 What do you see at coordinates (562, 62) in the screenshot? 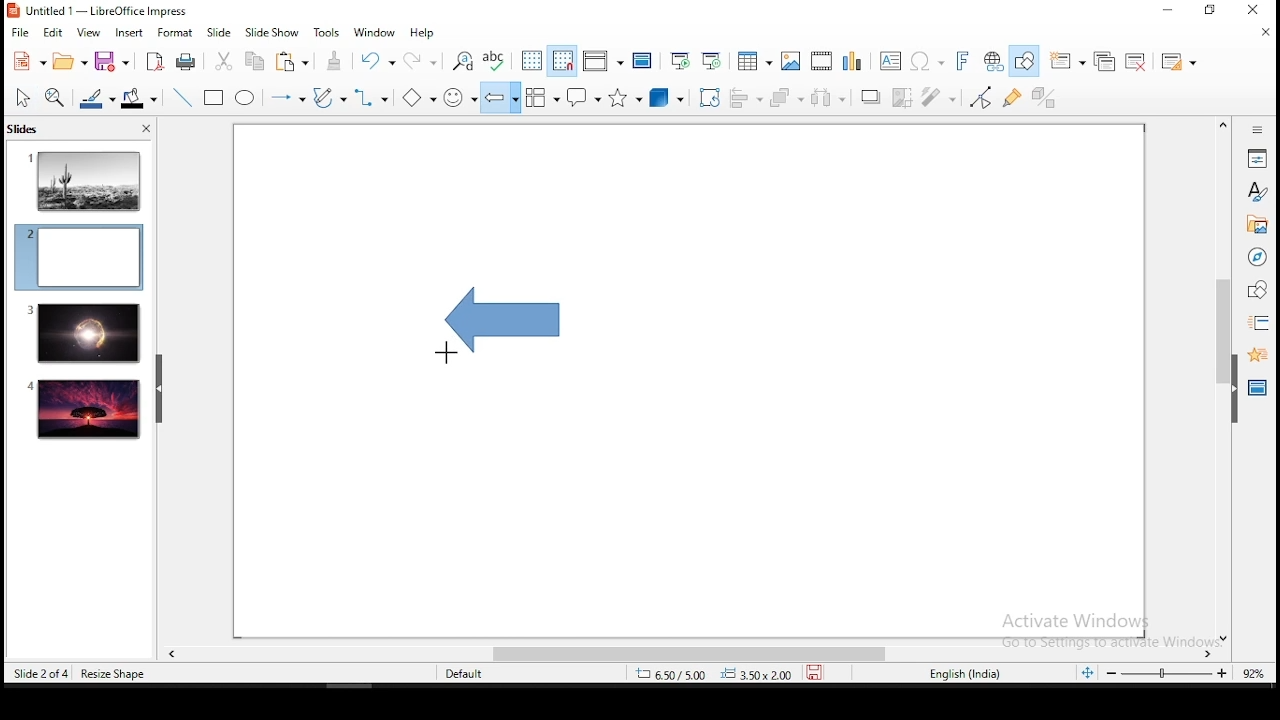
I see `snap to grid` at bounding box center [562, 62].